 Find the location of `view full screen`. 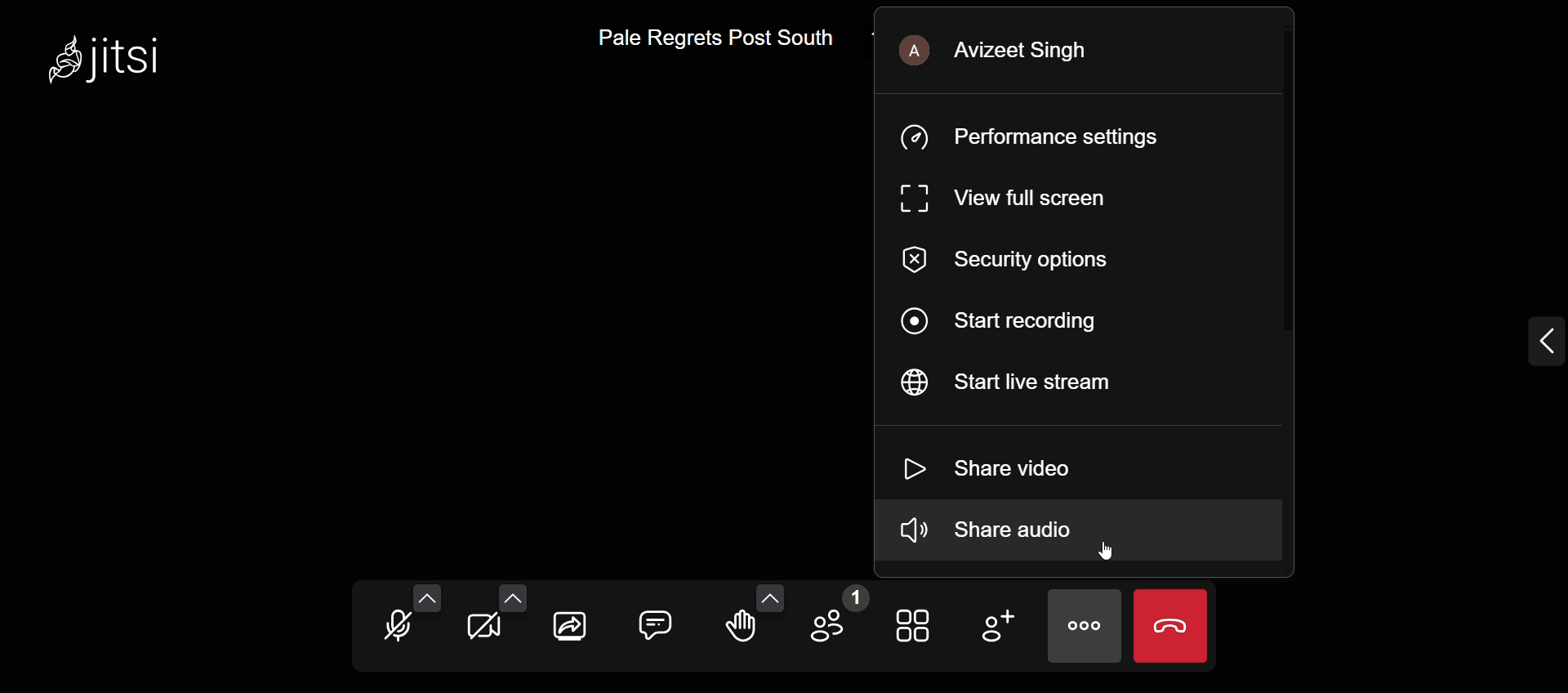

view full screen is located at coordinates (1000, 199).